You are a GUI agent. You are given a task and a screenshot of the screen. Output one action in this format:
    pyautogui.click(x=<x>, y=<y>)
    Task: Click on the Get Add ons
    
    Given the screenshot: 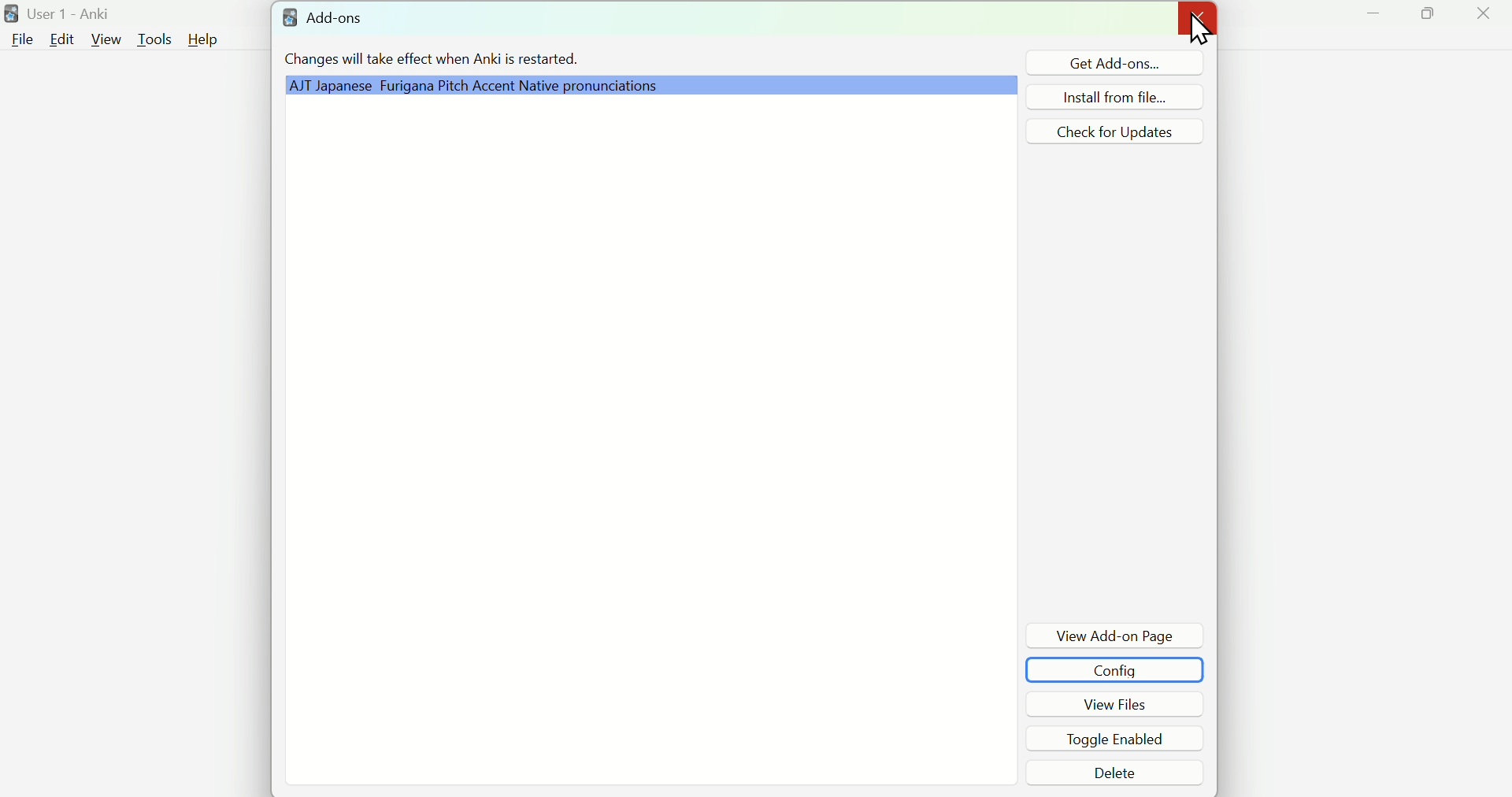 What is the action you would take?
    pyautogui.click(x=1121, y=59)
    